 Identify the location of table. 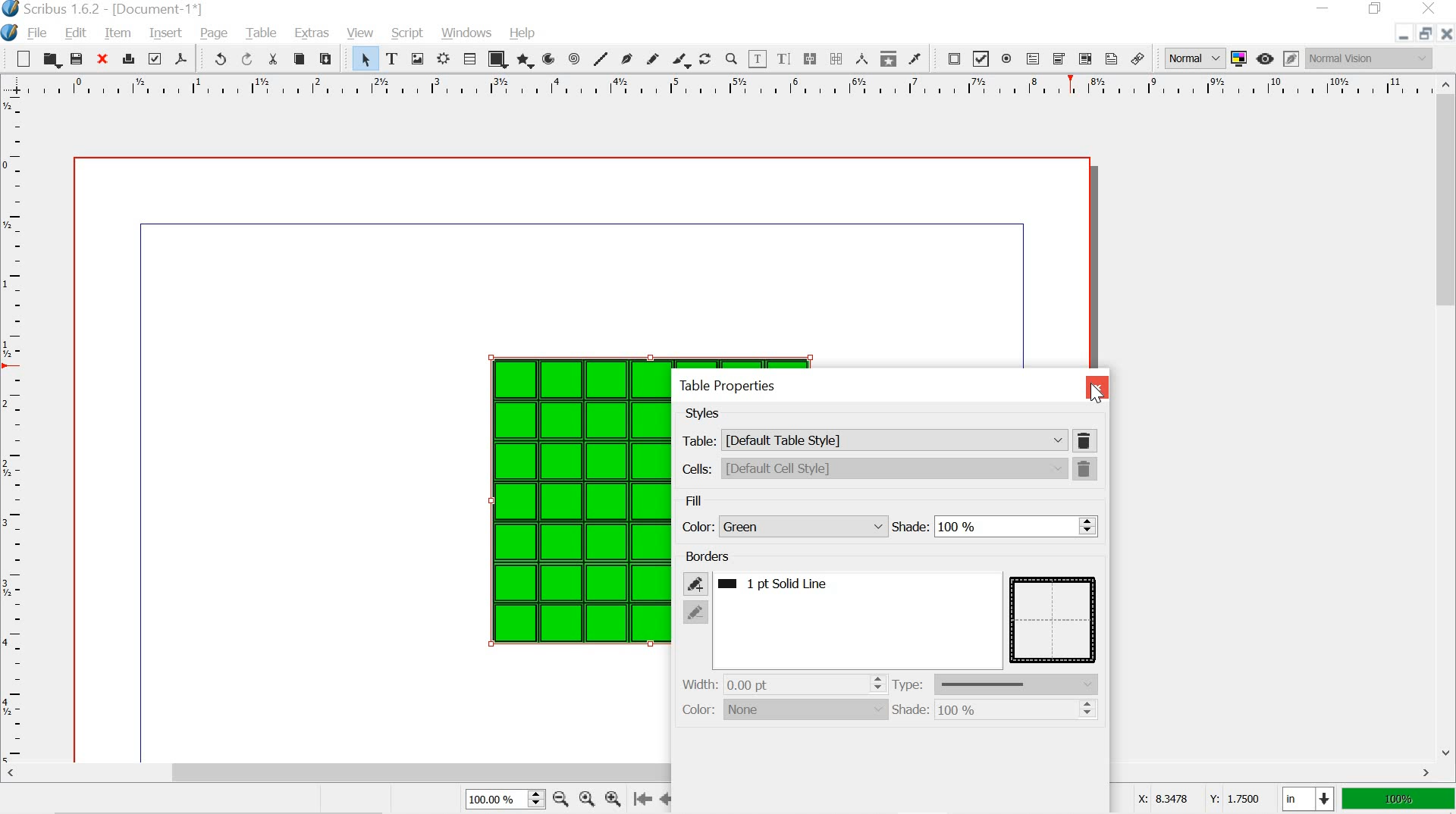
(261, 32).